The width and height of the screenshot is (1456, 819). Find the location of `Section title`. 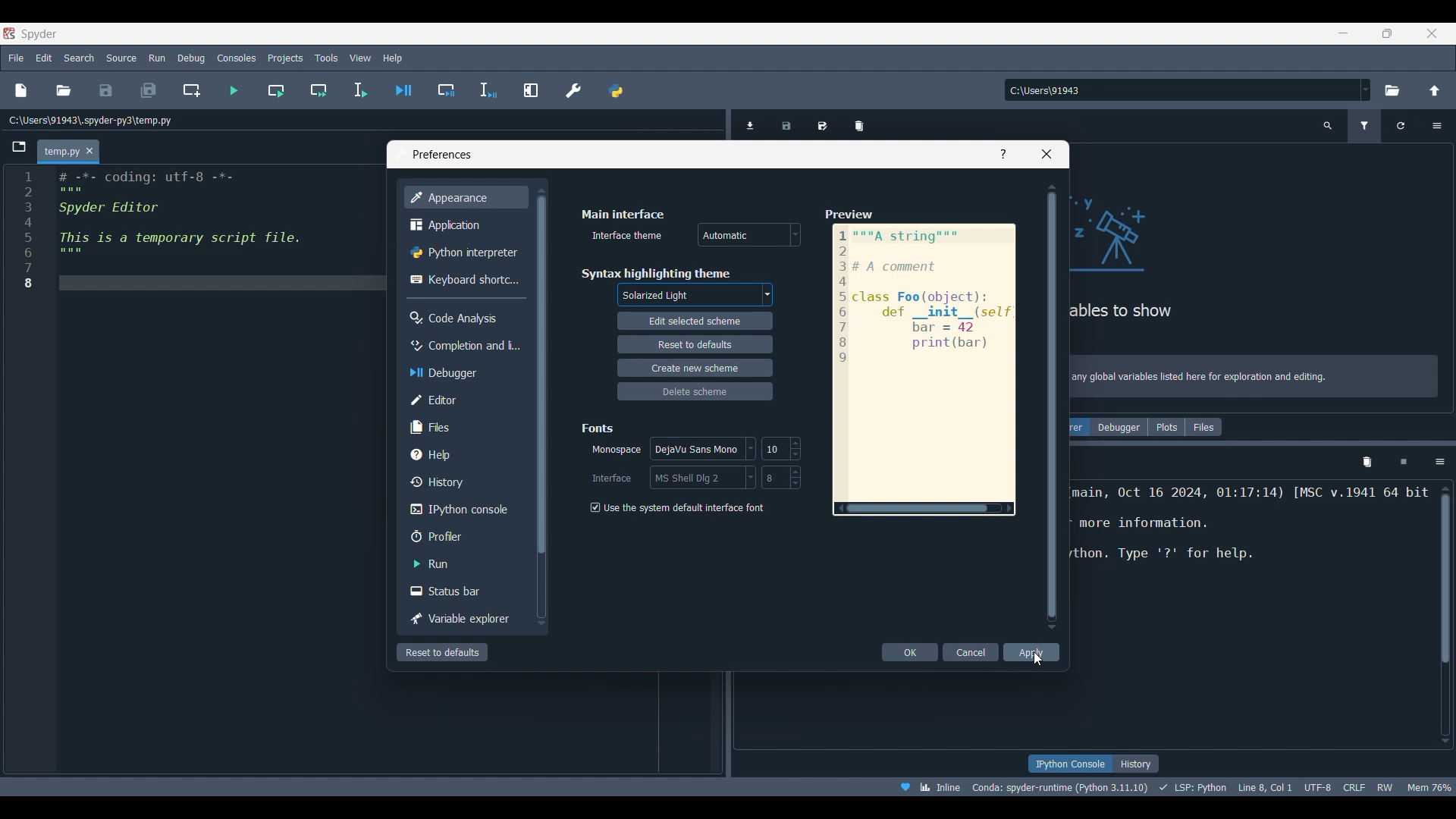

Section title is located at coordinates (624, 214).